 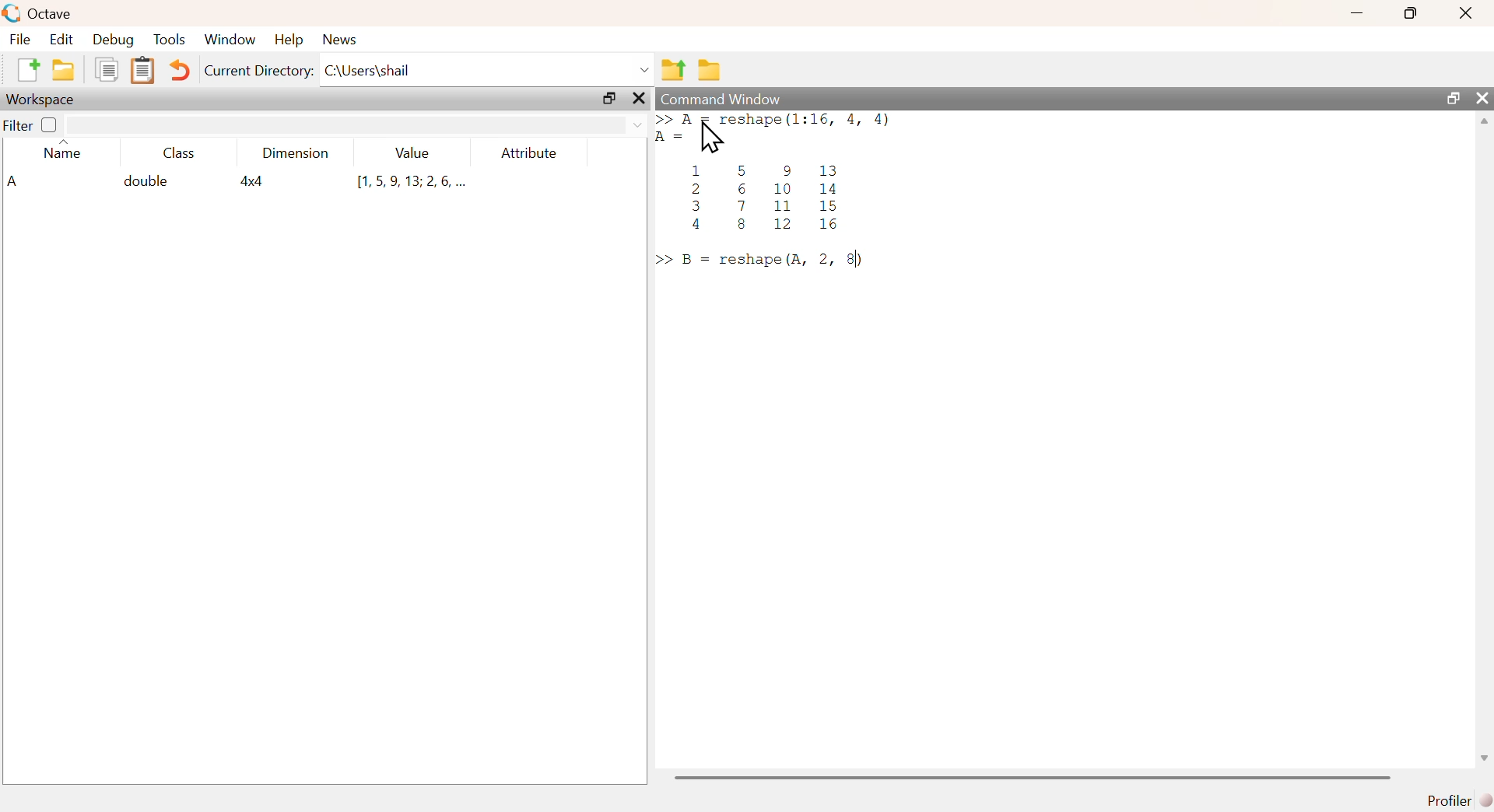 What do you see at coordinates (1355, 15) in the screenshot?
I see `minimize` at bounding box center [1355, 15].